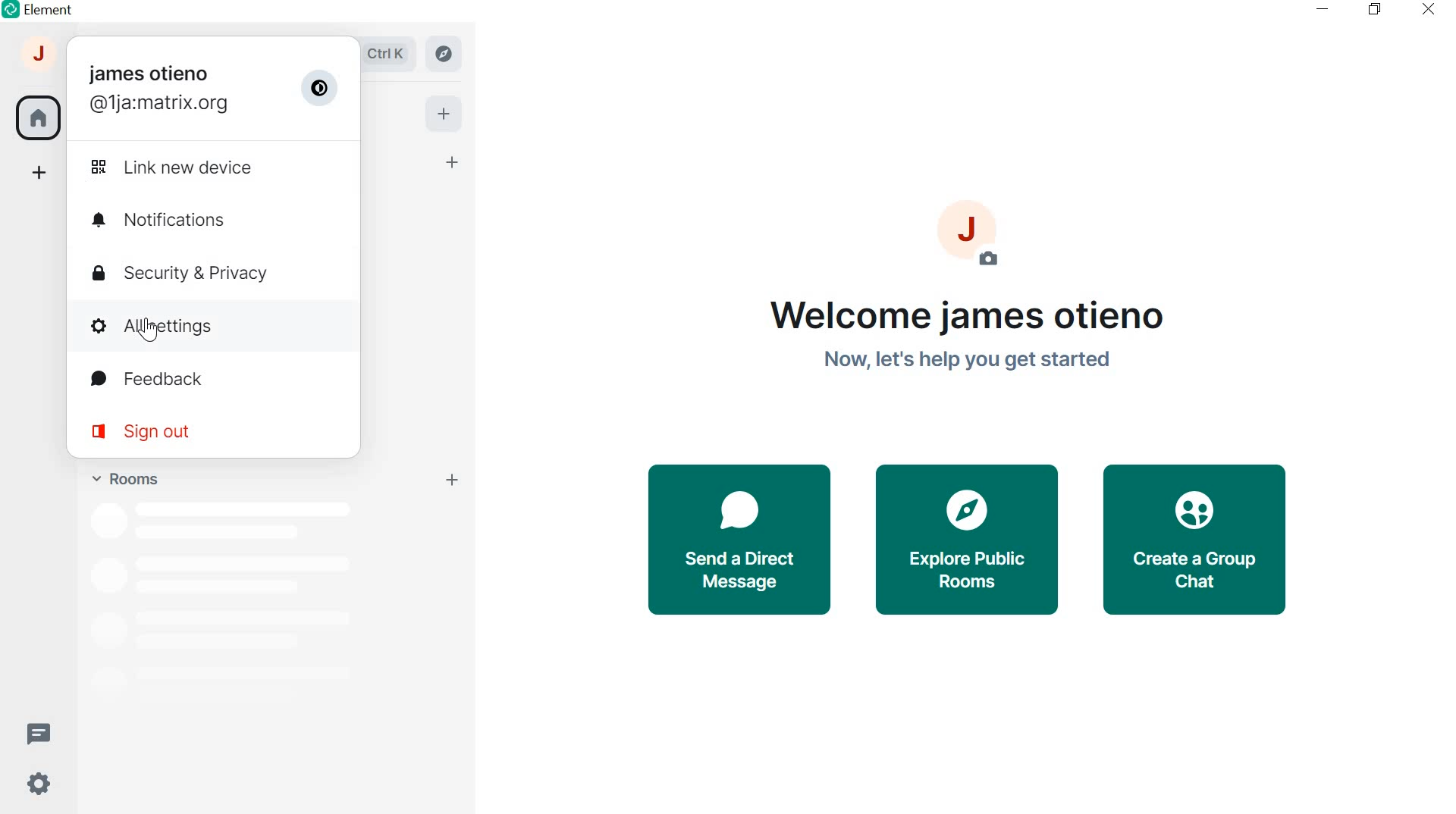  What do you see at coordinates (963, 335) in the screenshot?
I see `Welcome james otieno. Now. let's help you get started` at bounding box center [963, 335].